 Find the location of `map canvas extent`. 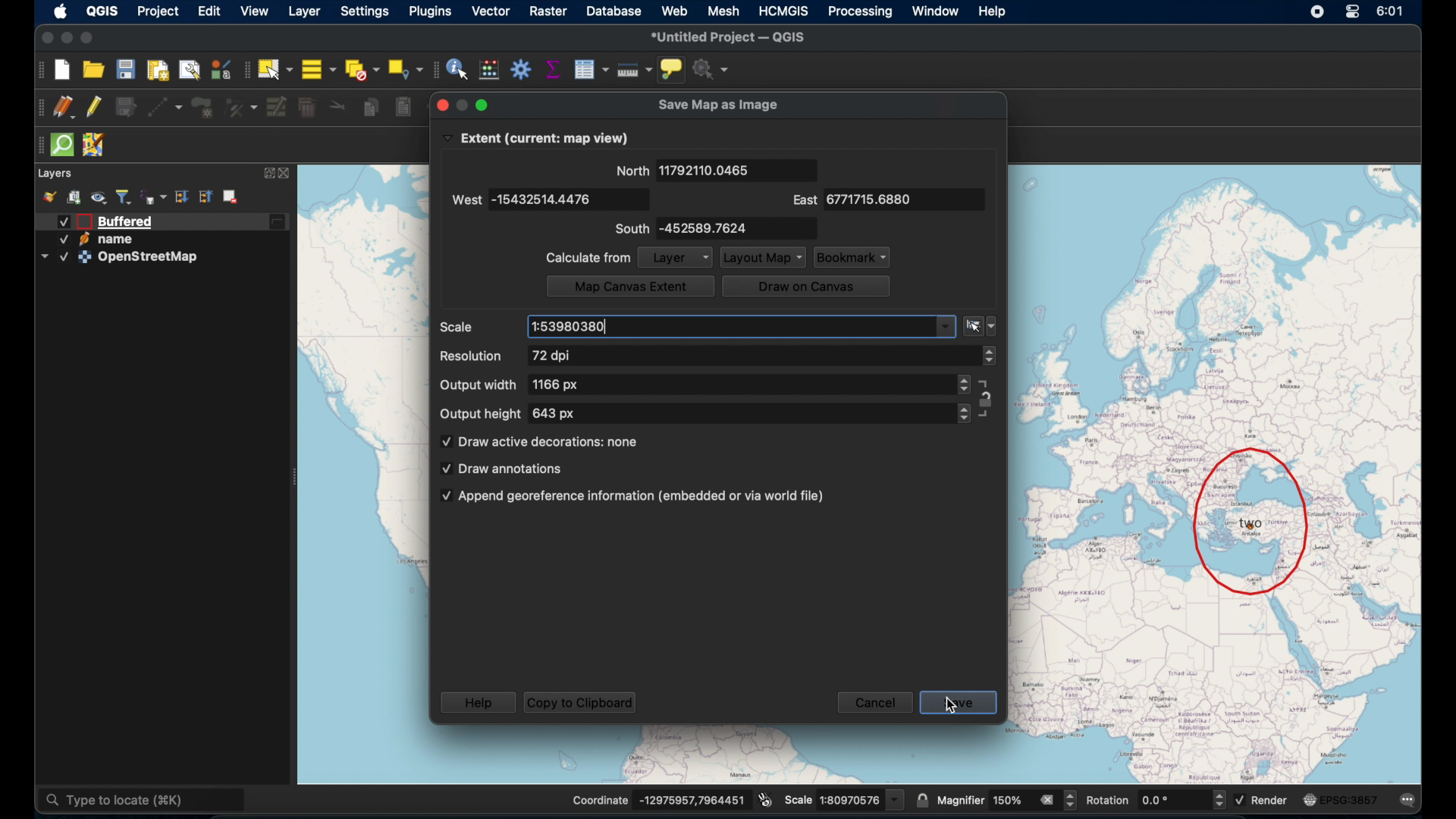

map canvas extent is located at coordinates (629, 286).